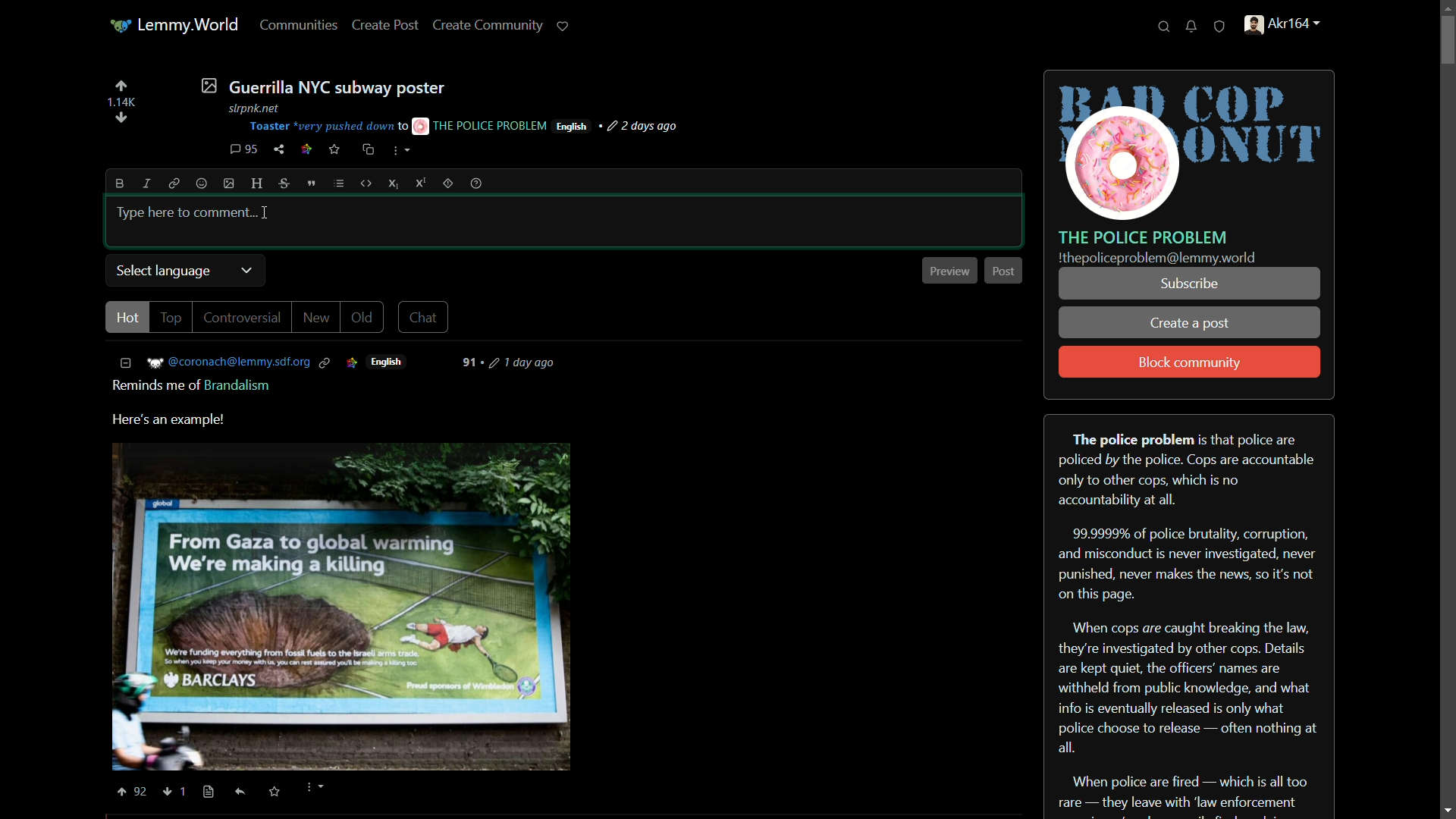 The width and height of the screenshot is (1456, 819). Describe the element at coordinates (265, 211) in the screenshot. I see `cursor` at that location.